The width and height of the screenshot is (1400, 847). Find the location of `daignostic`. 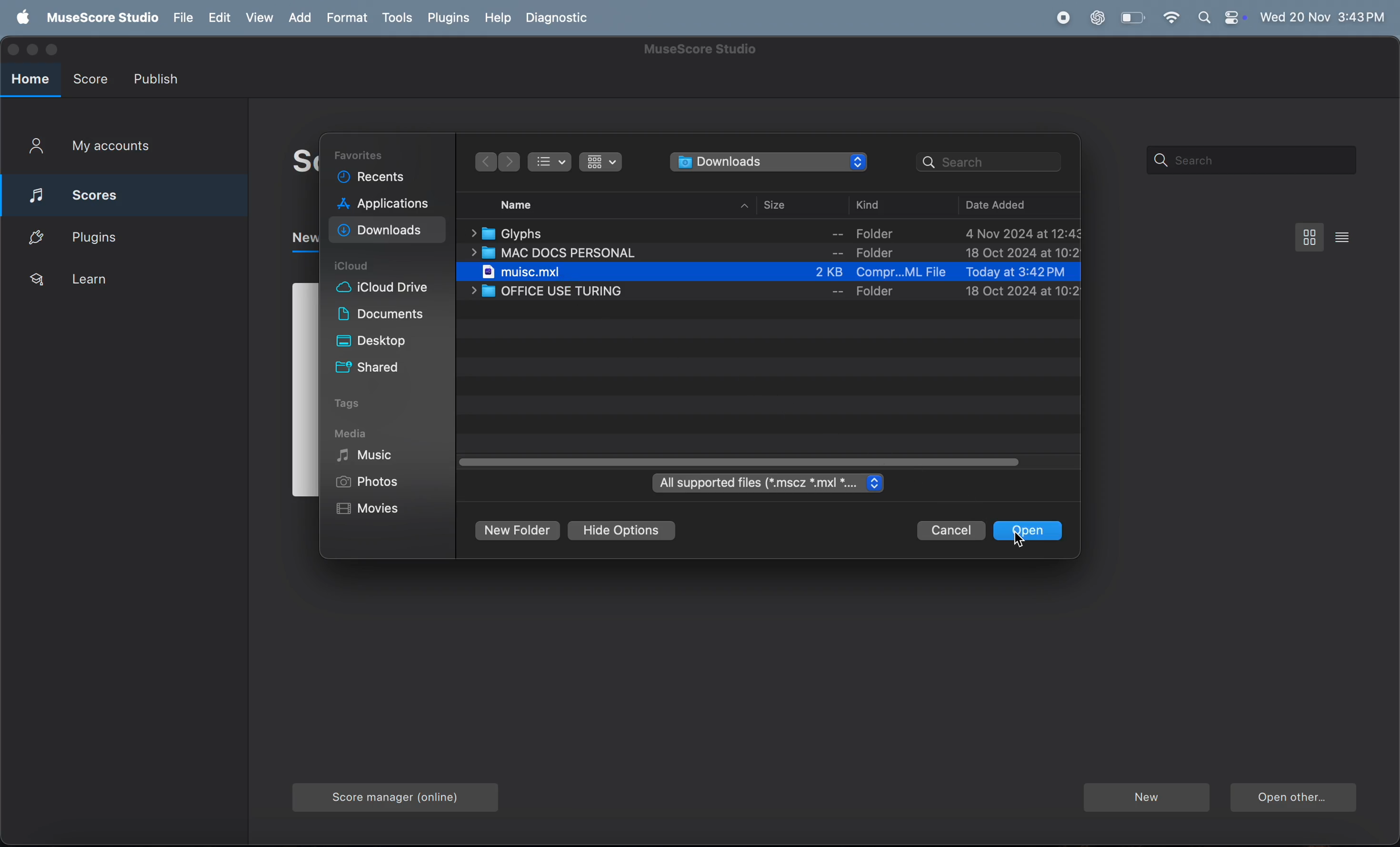

daignostic is located at coordinates (564, 18).